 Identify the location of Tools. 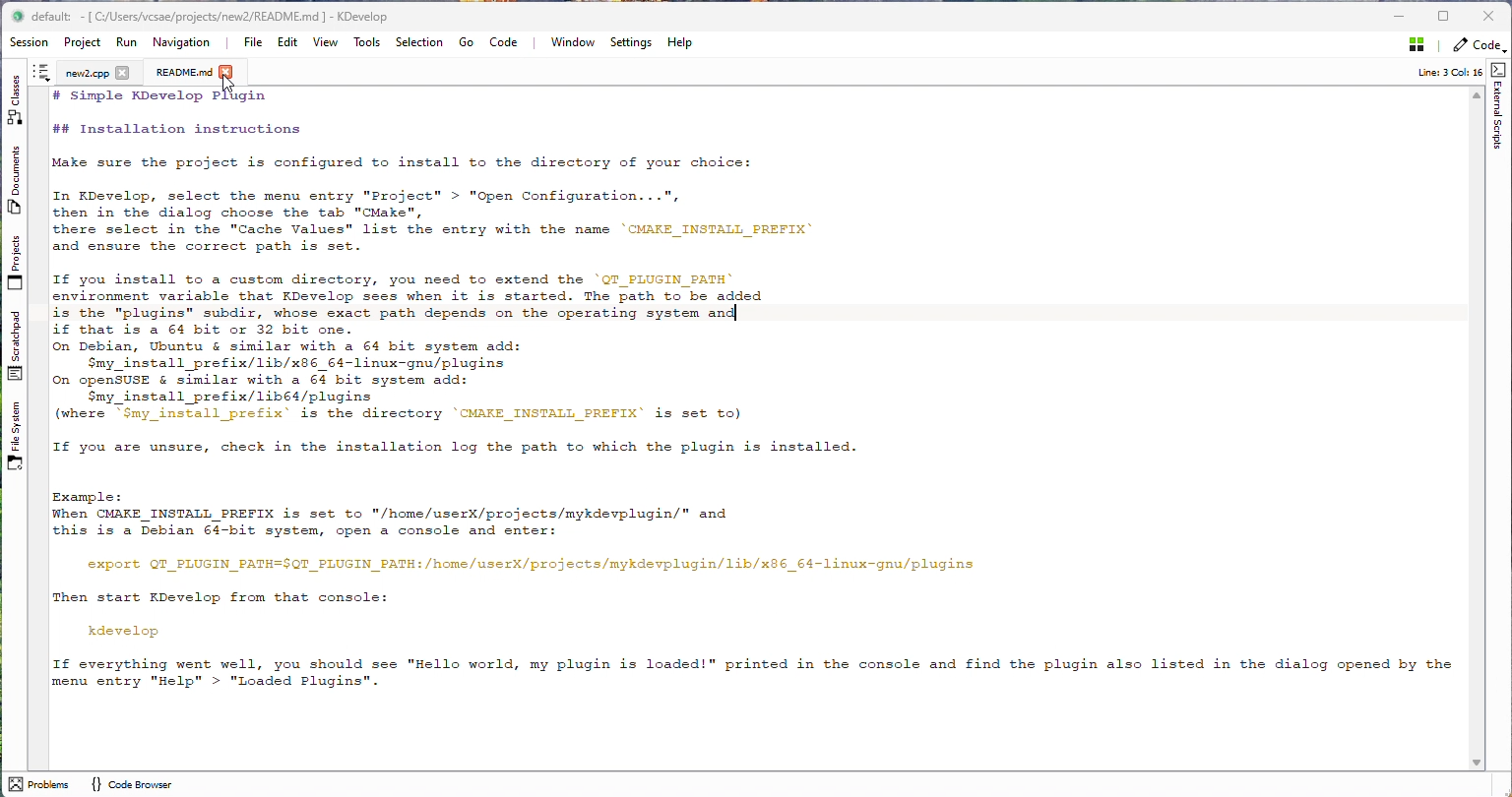
(372, 43).